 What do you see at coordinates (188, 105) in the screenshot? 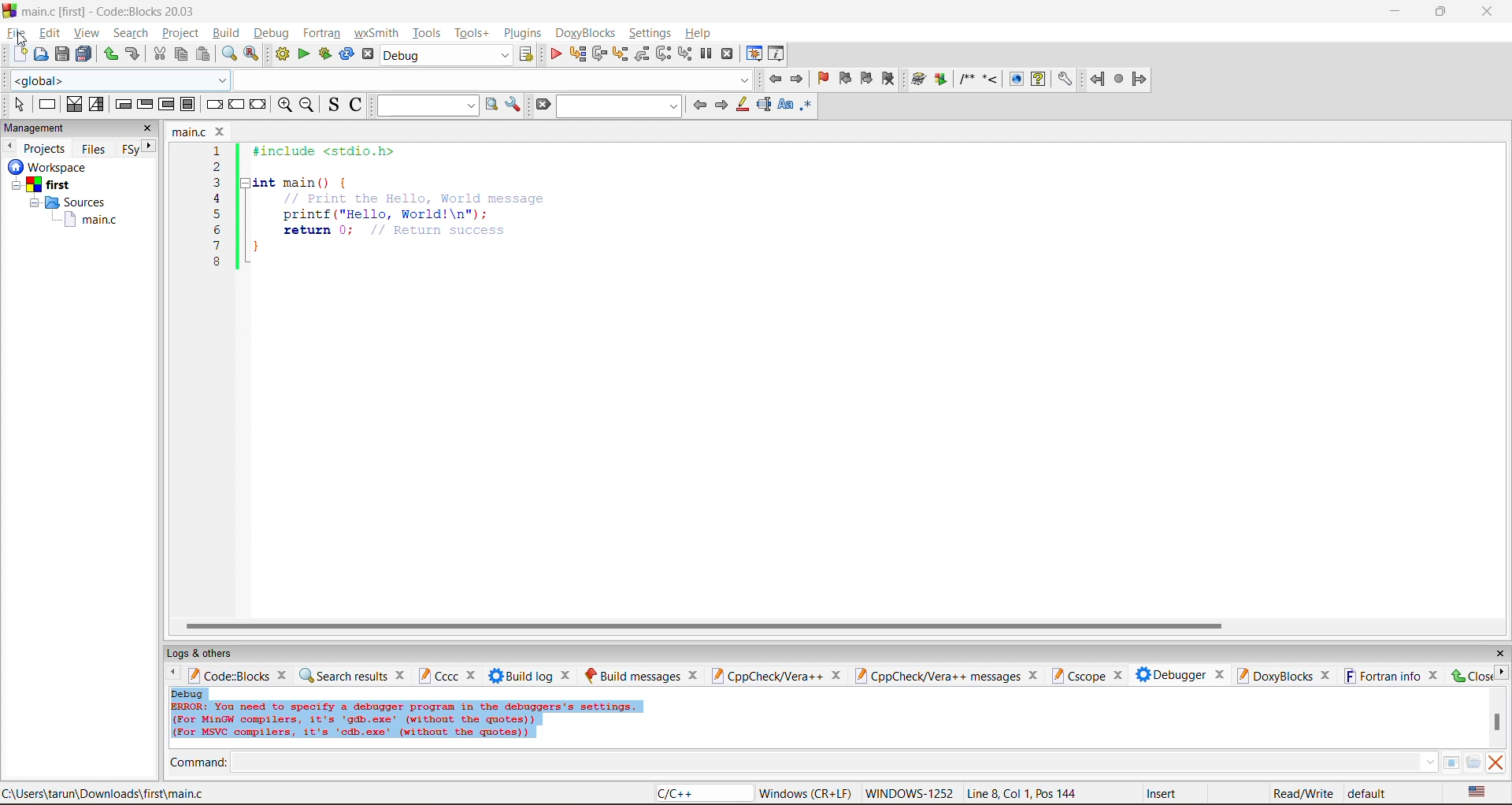
I see `block instruction` at bounding box center [188, 105].